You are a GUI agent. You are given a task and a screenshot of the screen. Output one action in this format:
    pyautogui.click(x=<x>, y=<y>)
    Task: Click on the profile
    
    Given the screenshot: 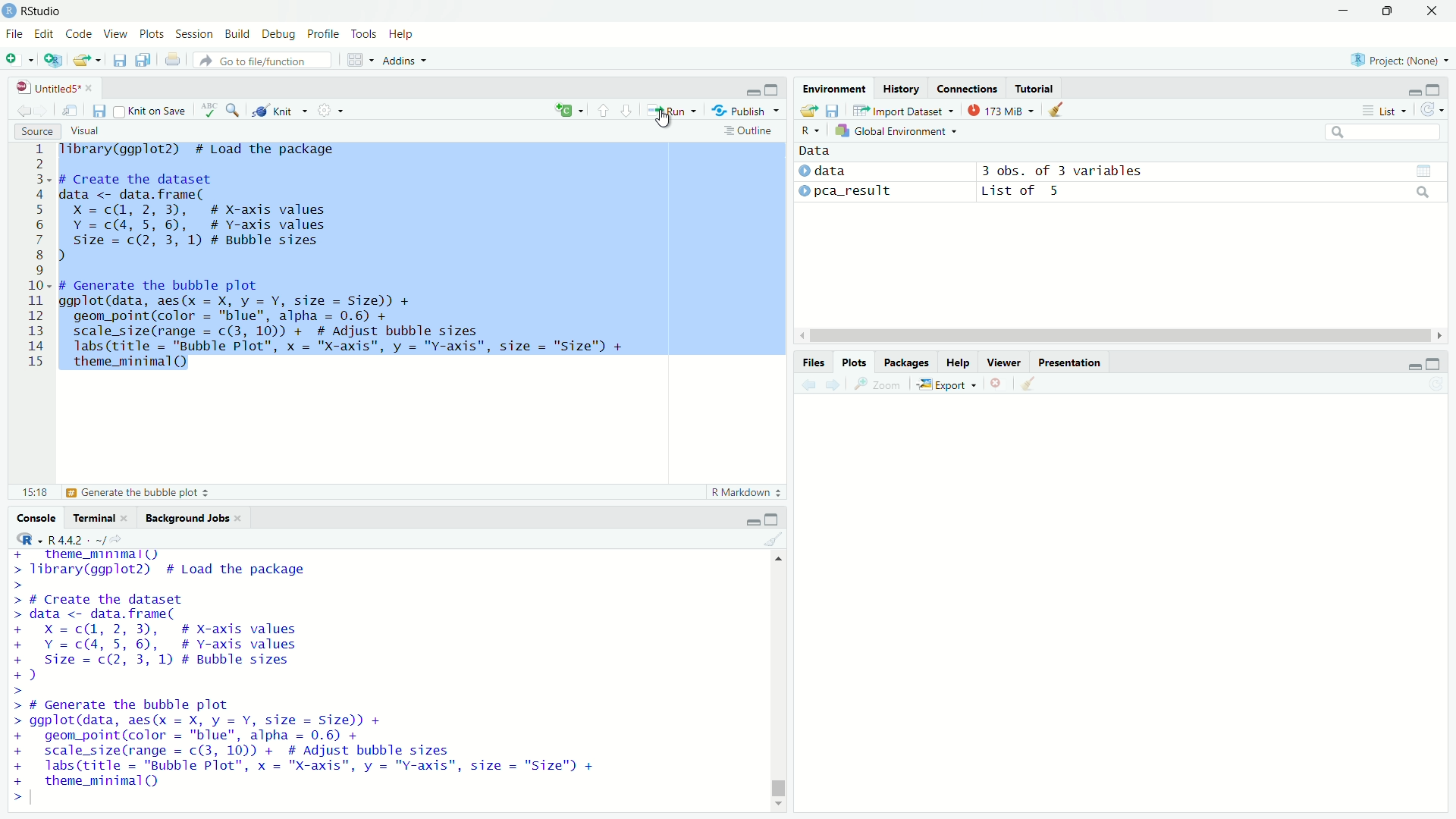 What is the action you would take?
    pyautogui.click(x=325, y=35)
    